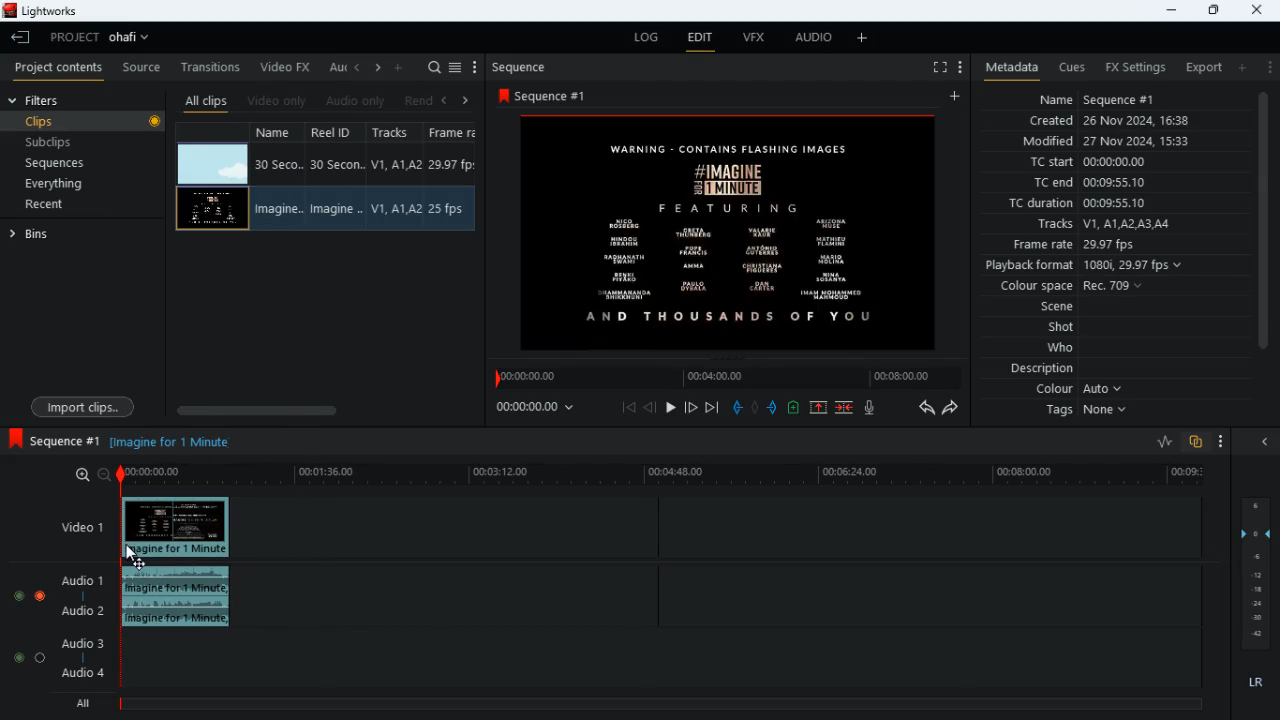 This screenshot has width=1280, height=720. I want to click on video fx, so click(288, 67).